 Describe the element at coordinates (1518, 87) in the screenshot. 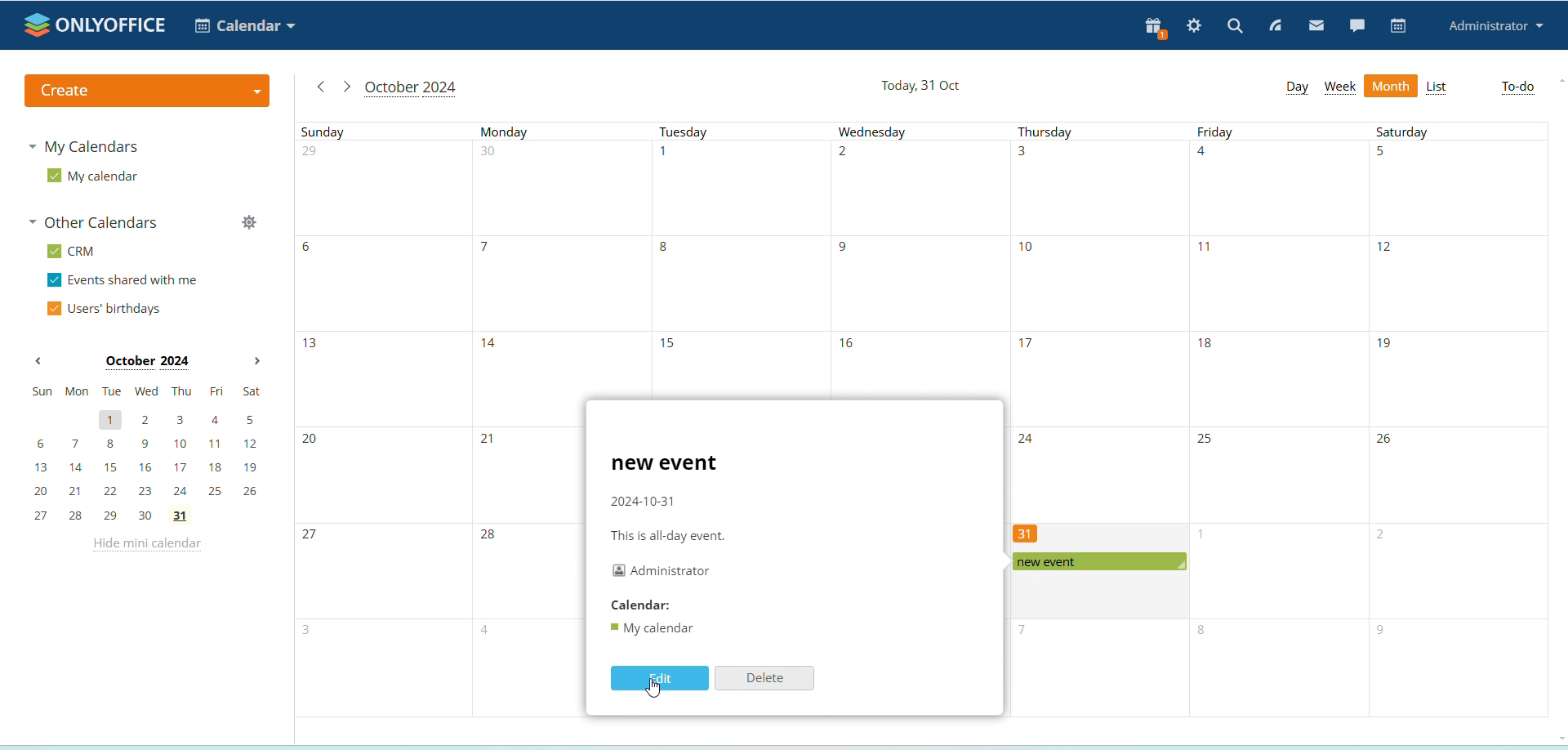

I see `to-do` at that location.